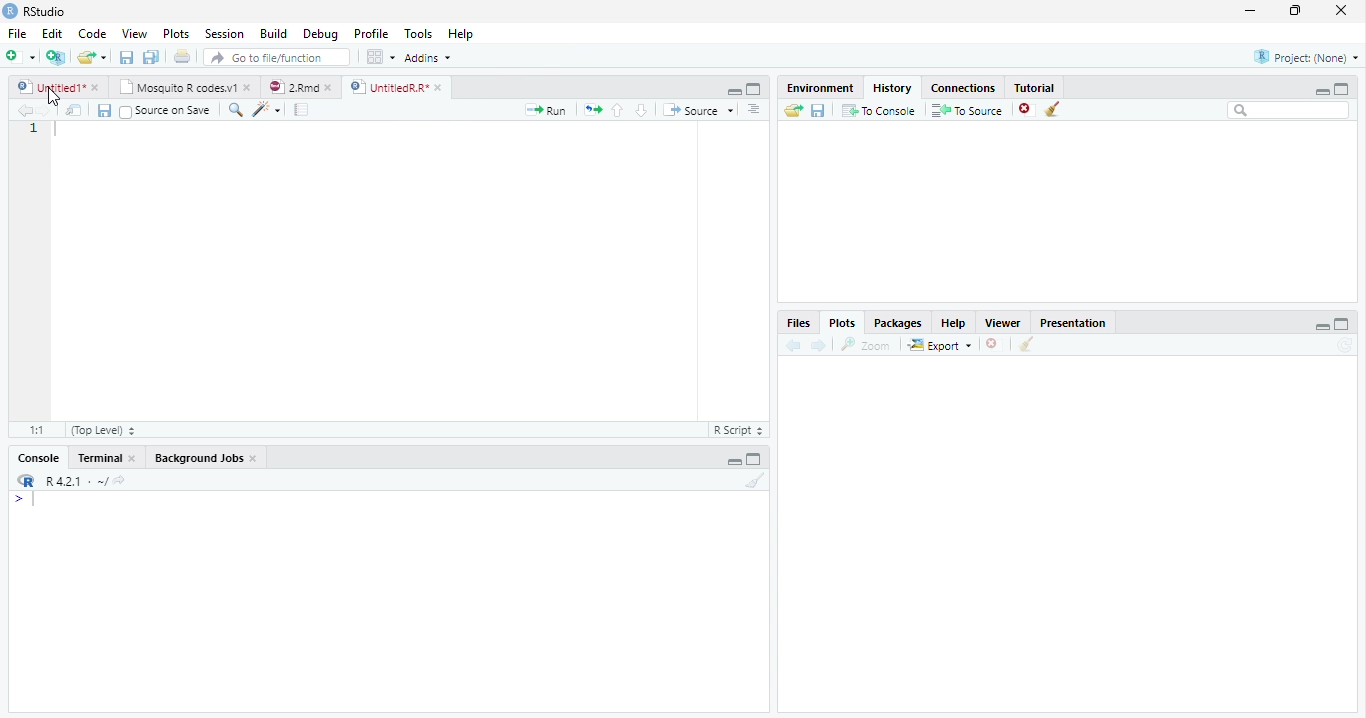  Describe the element at coordinates (263, 109) in the screenshot. I see `Code Tools` at that location.